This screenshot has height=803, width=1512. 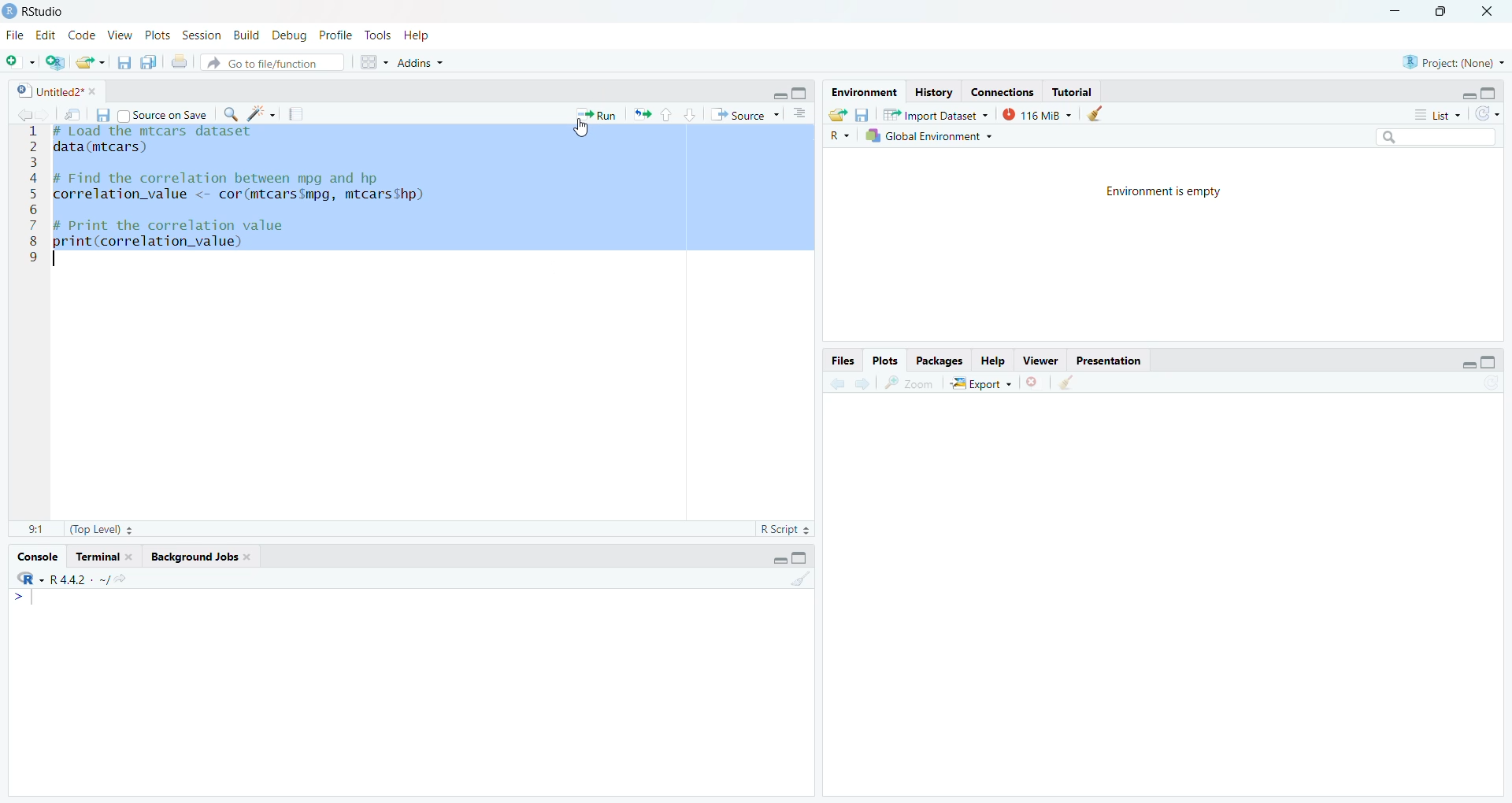 I want to click on Find/Replace, so click(x=231, y=113).